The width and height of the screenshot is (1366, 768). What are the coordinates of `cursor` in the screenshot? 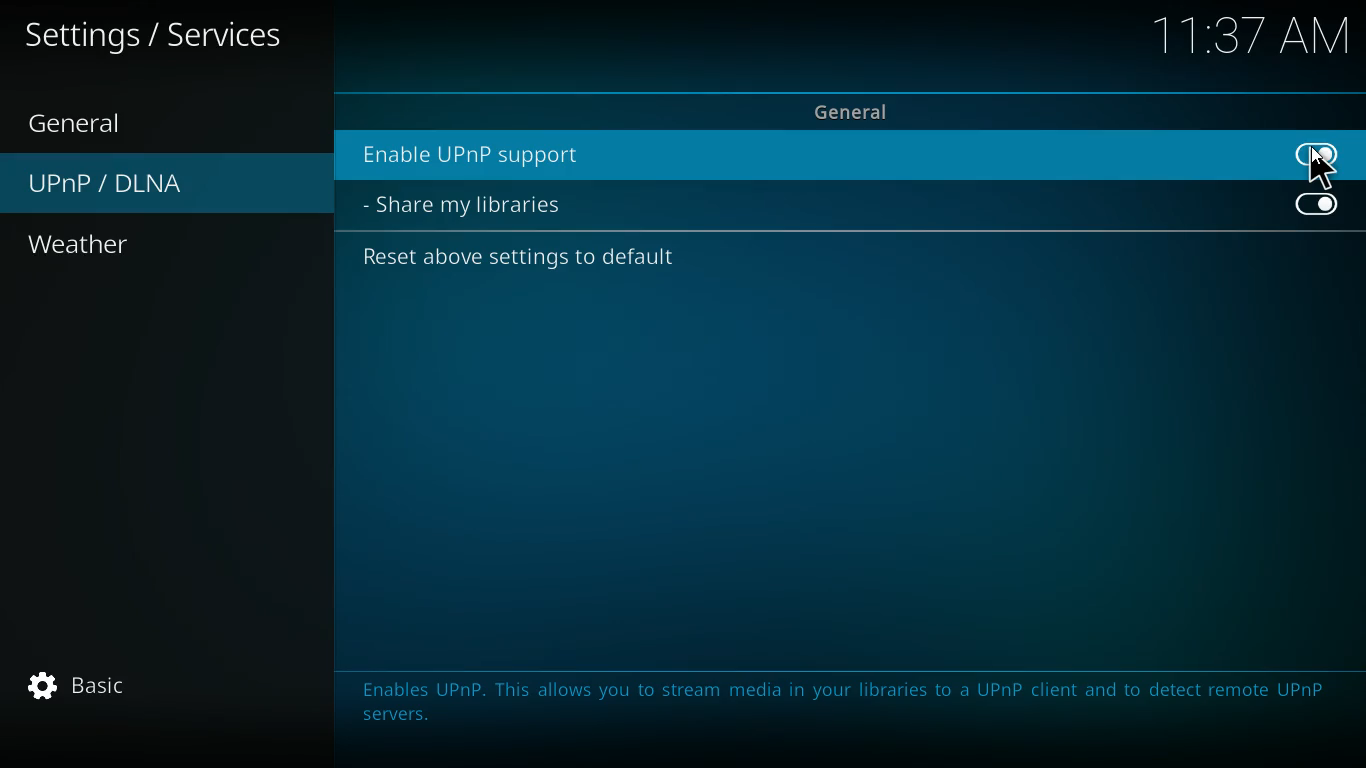 It's located at (1320, 167).